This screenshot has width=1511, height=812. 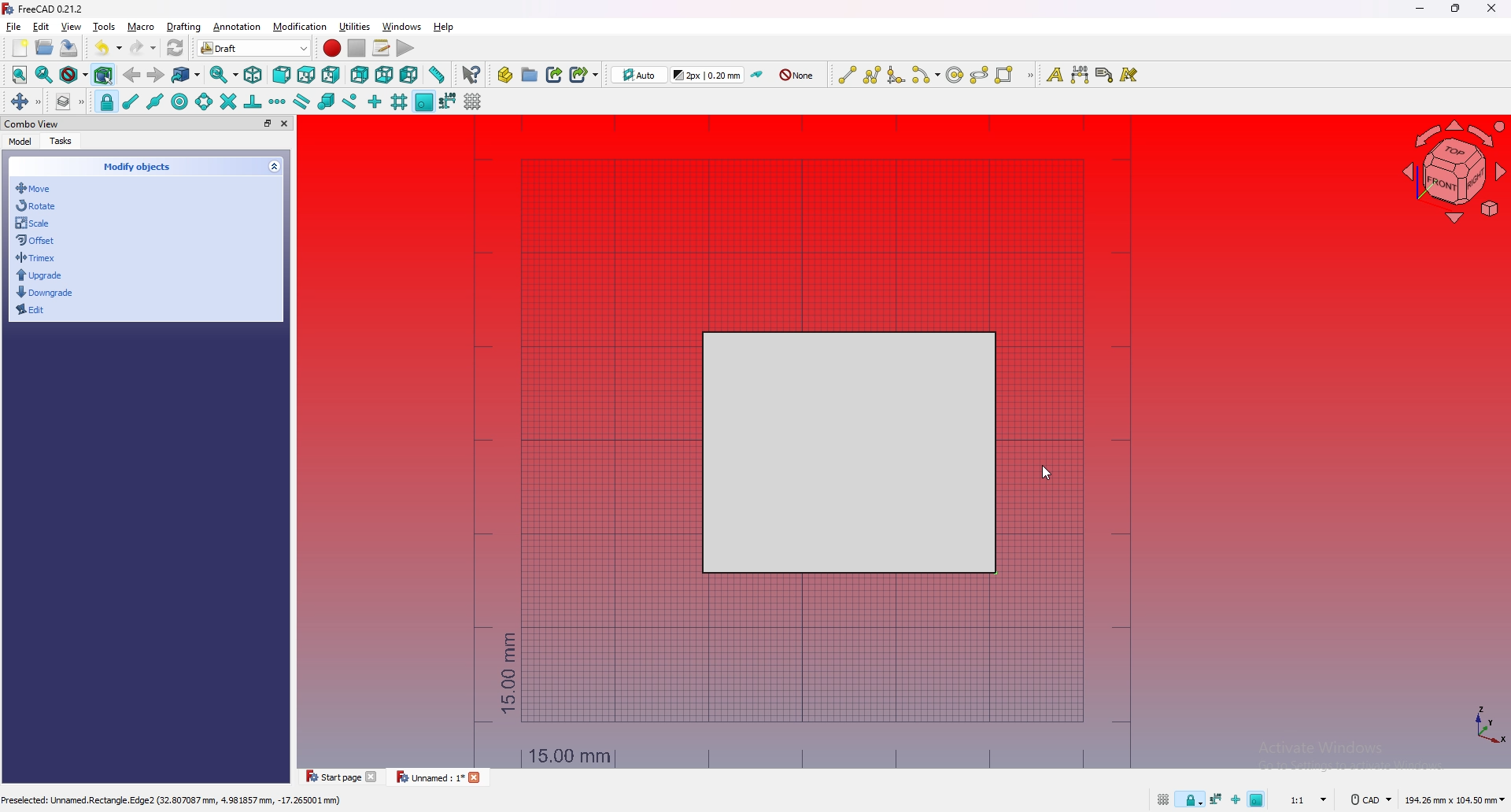 I want to click on snap special, so click(x=325, y=101).